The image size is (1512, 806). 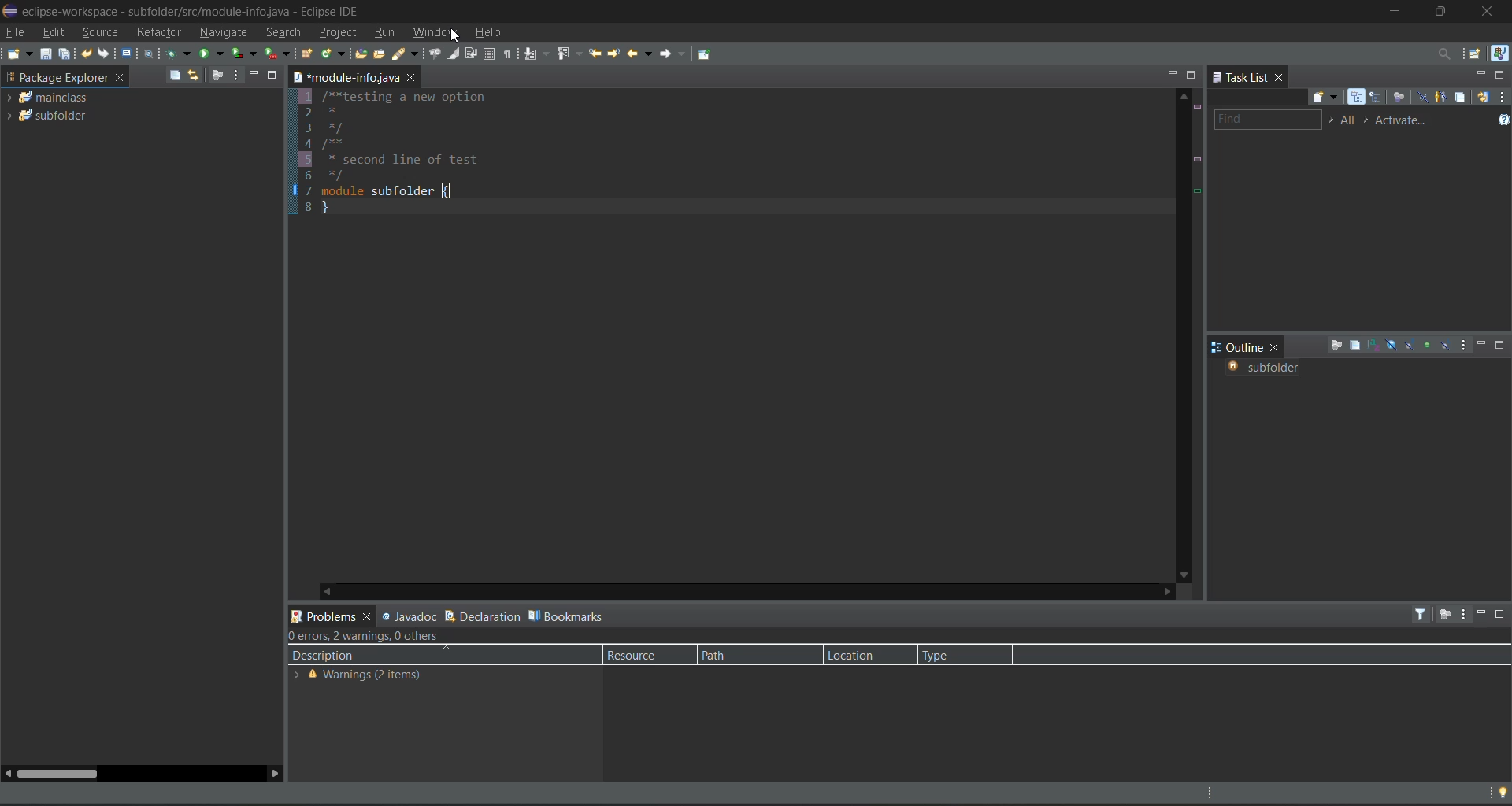 I want to click on help, so click(x=487, y=33).